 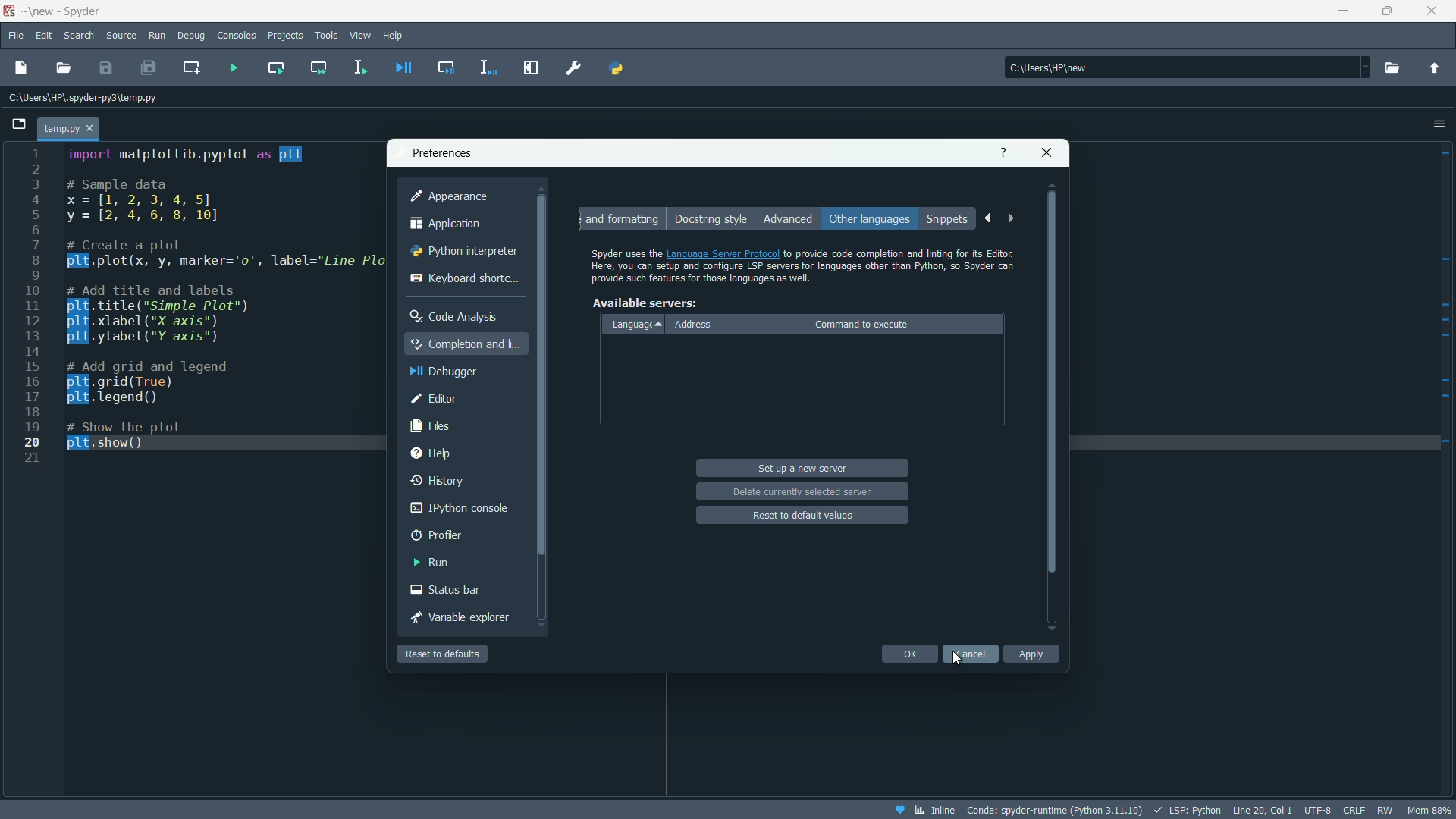 I want to click on interpreter, so click(x=1053, y=811).